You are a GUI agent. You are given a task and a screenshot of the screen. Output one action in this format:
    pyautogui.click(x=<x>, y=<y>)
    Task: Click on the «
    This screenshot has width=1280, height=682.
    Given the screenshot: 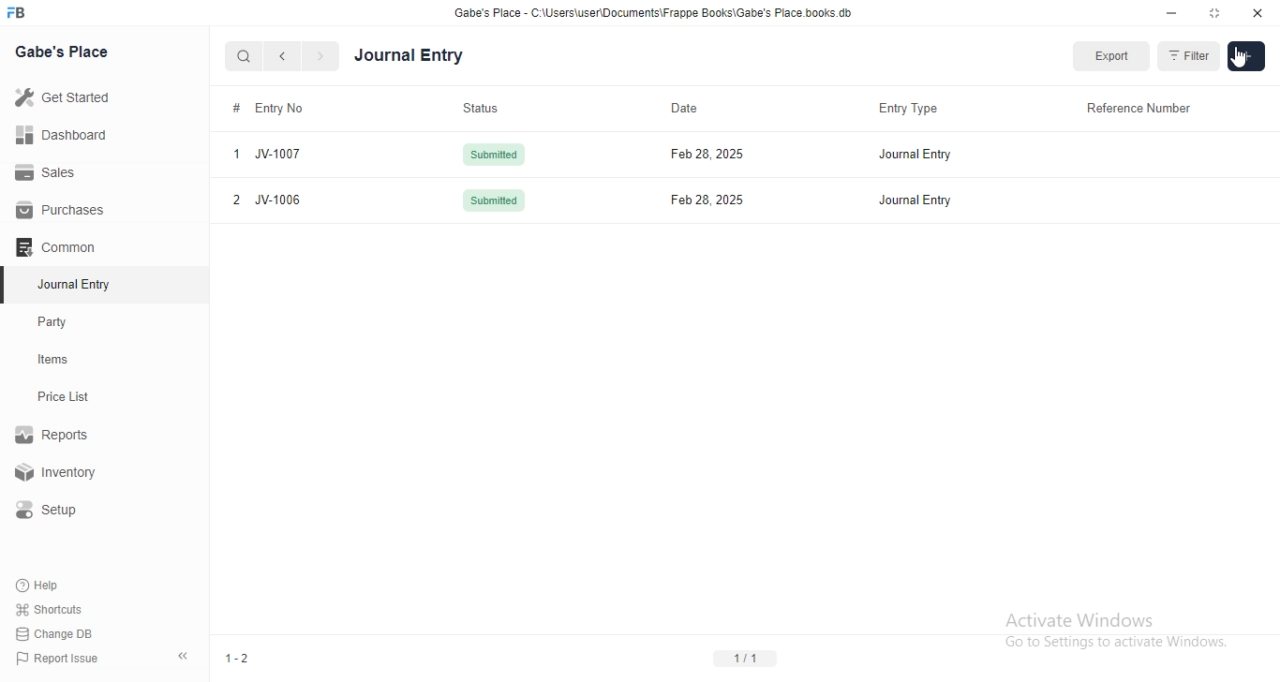 What is the action you would take?
    pyautogui.click(x=185, y=657)
    